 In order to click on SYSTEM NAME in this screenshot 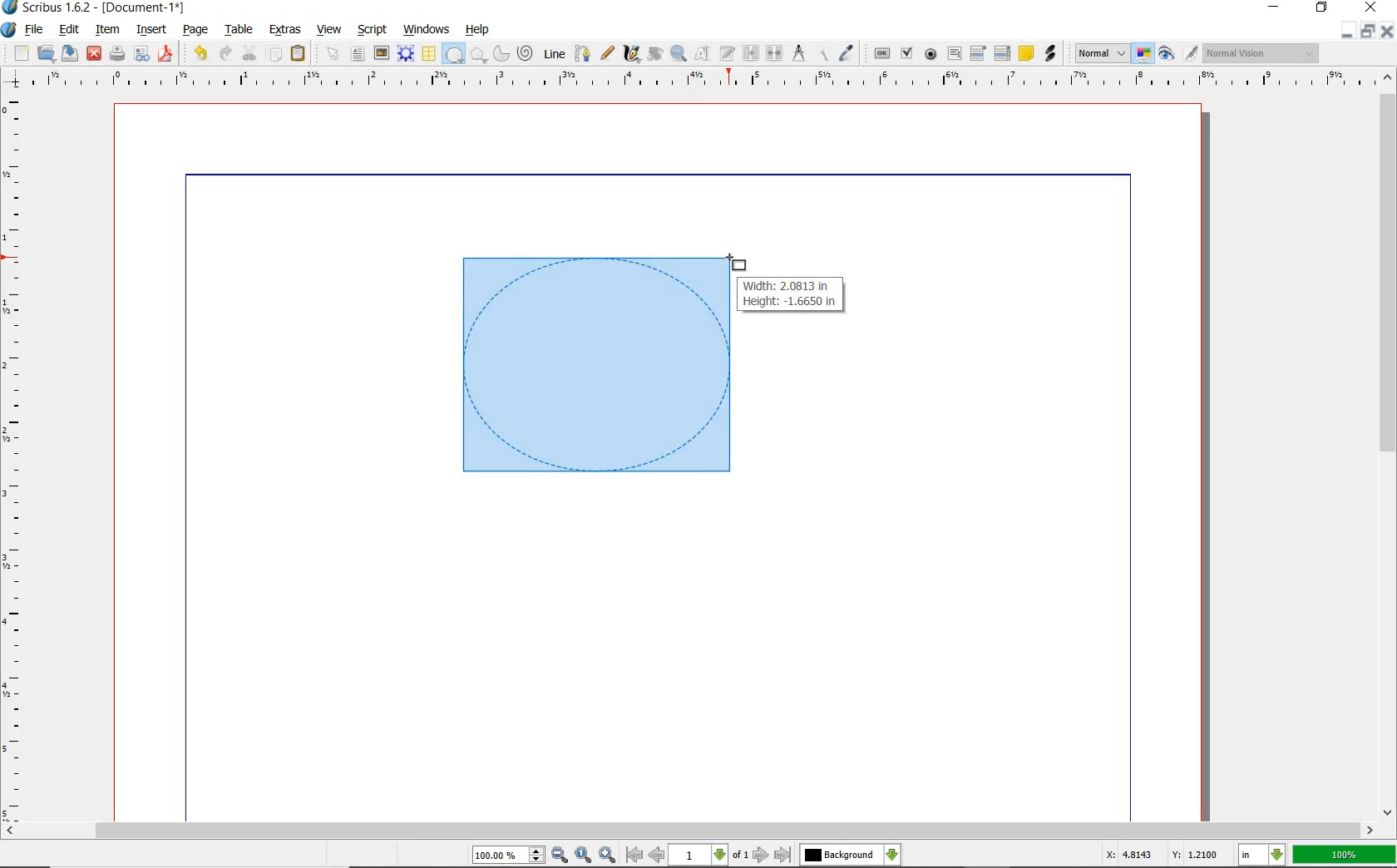, I will do `click(95, 7)`.